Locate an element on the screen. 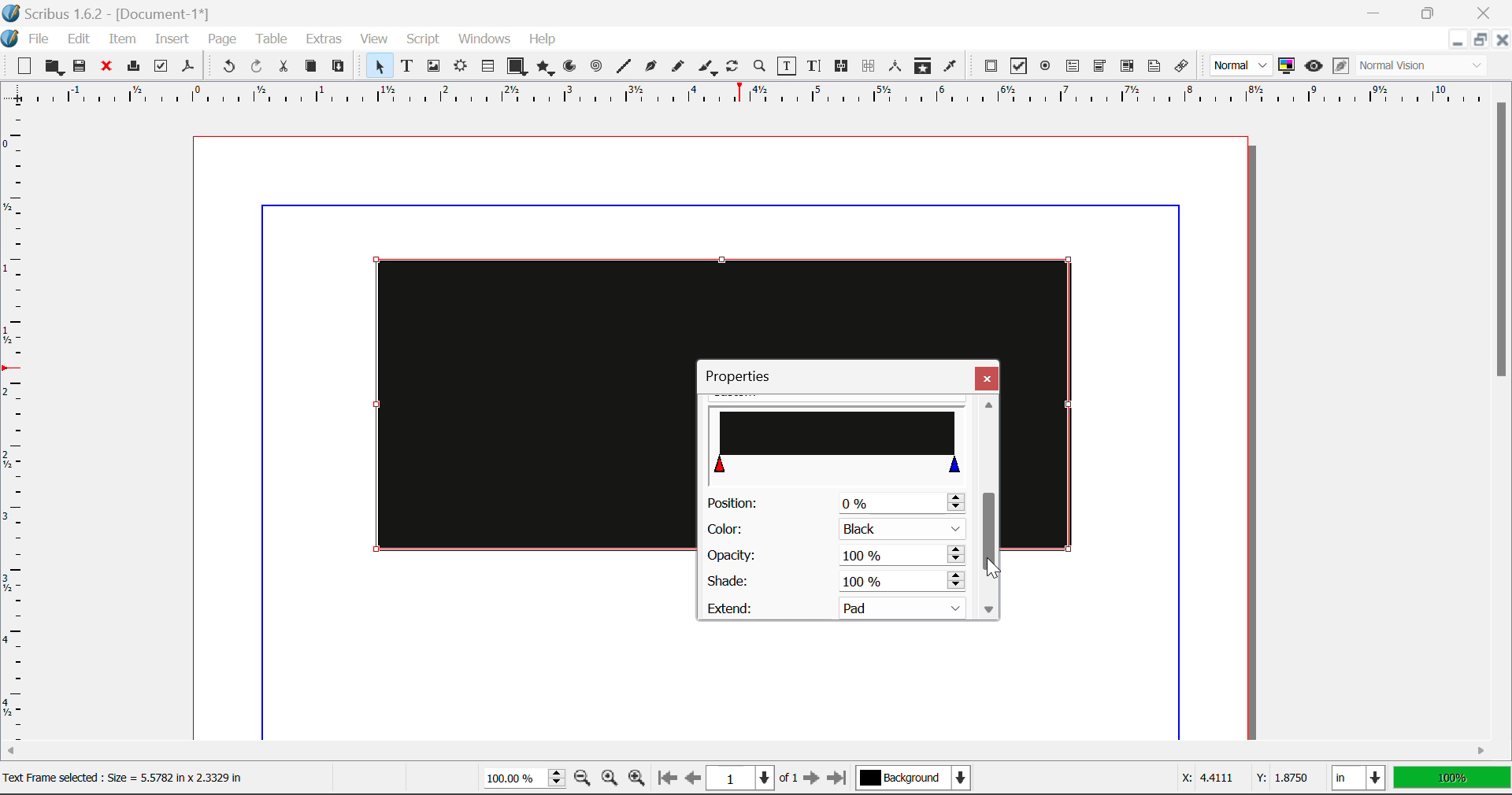 The image size is (1512, 795). Shapes is located at coordinates (517, 68).